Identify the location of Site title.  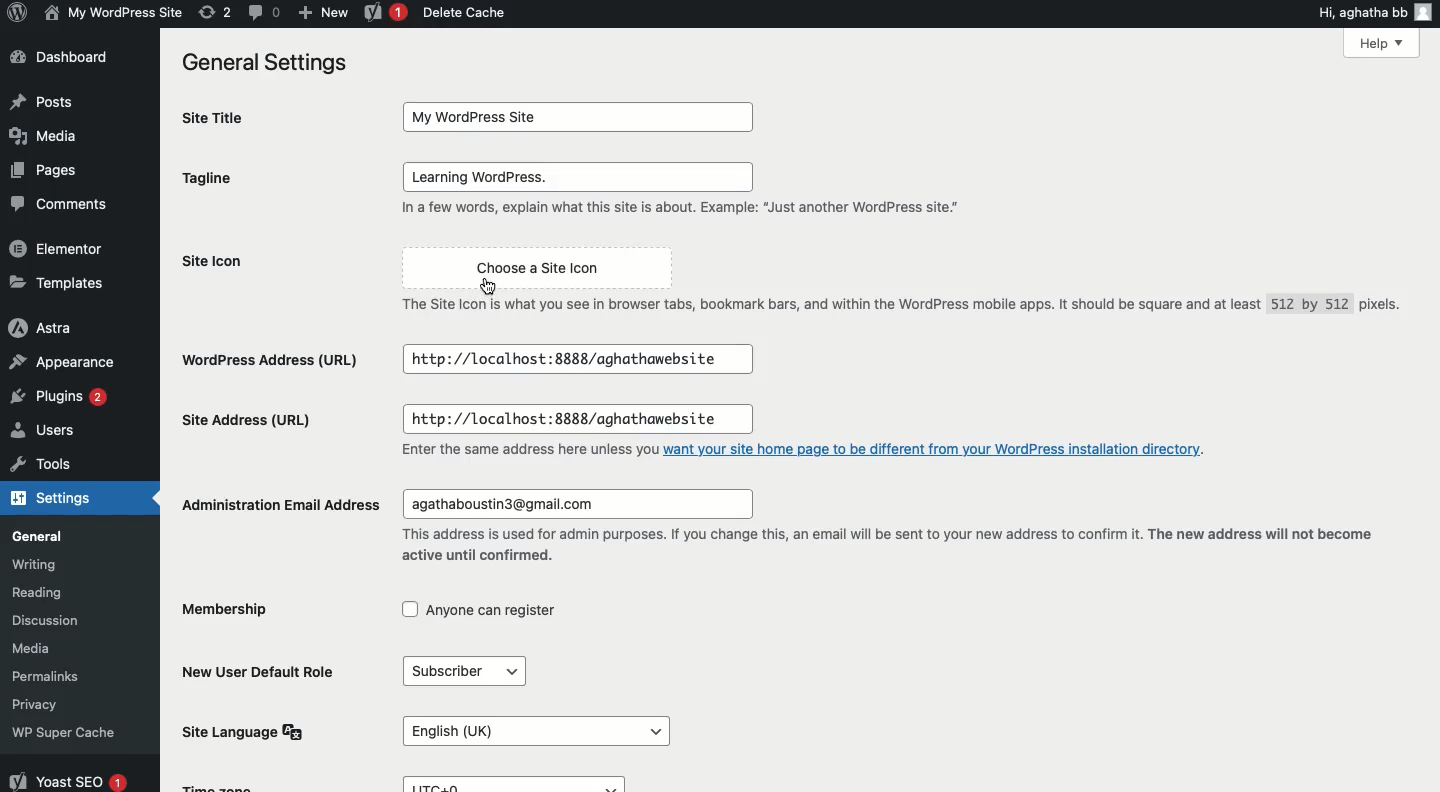
(226, 119).